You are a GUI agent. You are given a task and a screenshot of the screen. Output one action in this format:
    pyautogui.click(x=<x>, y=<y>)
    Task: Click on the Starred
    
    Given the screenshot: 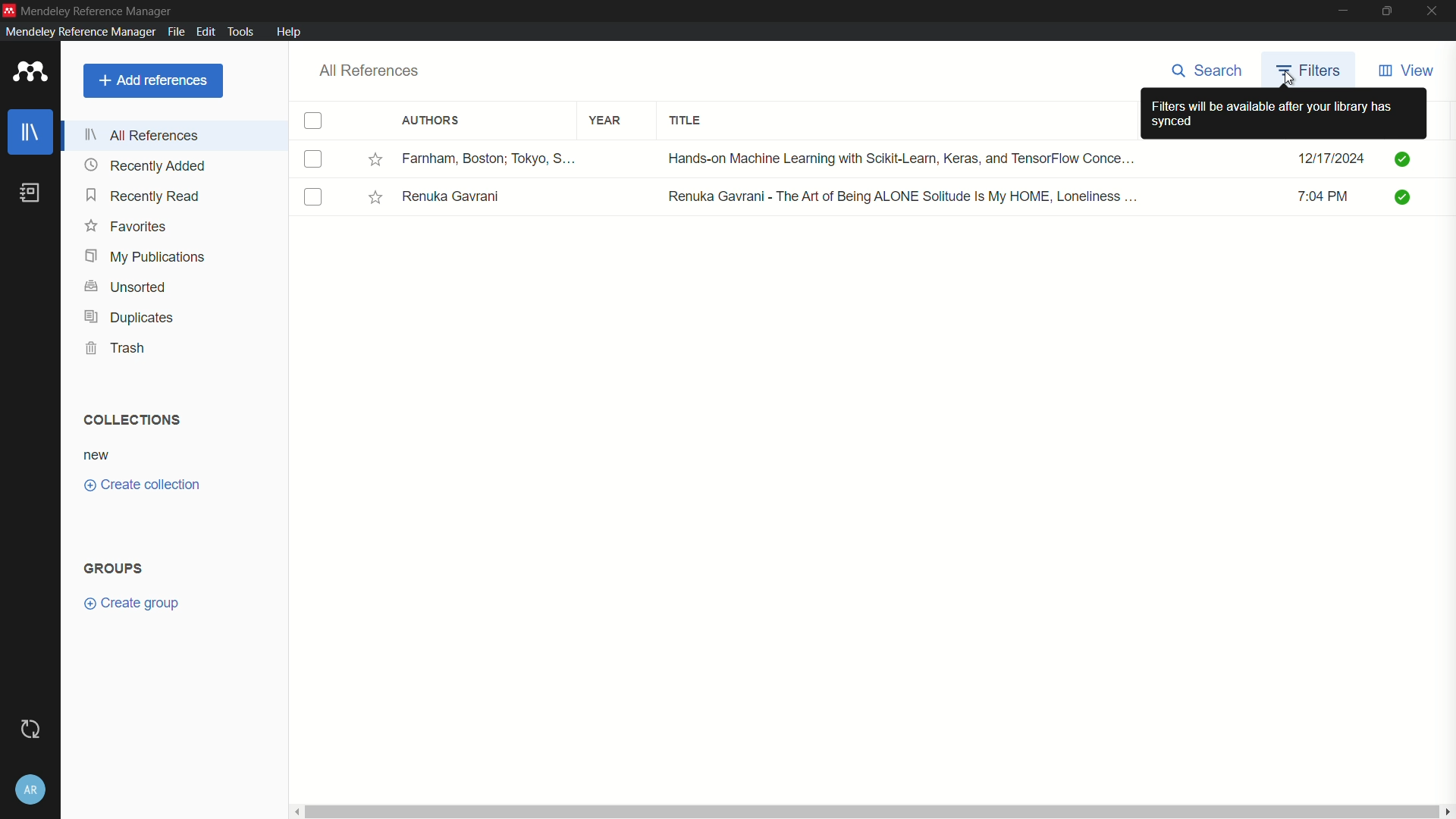 What is the action you would take?
    pyautogui.click(x=376, y=197)
    